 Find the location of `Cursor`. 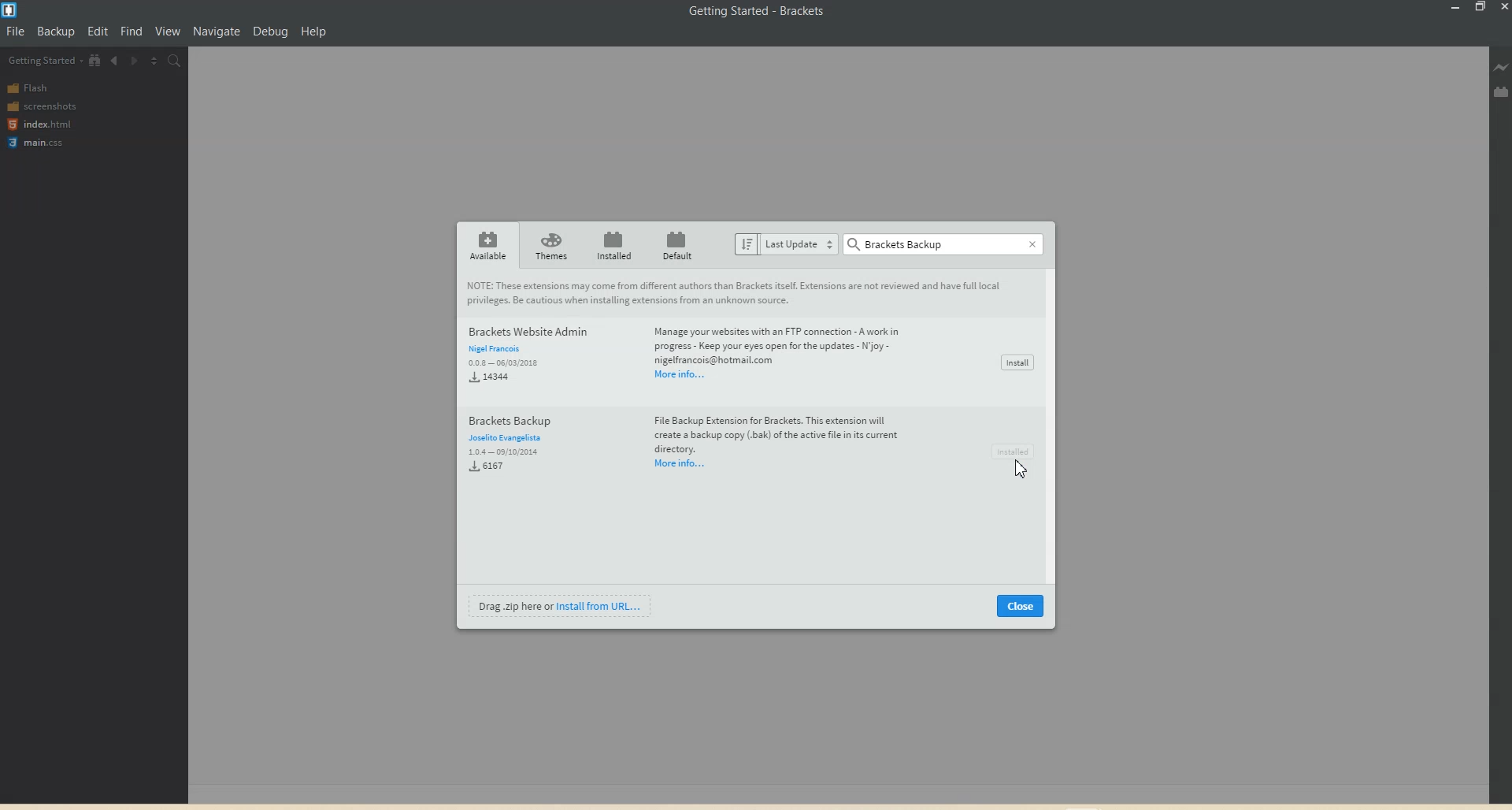

Cursor is located at coordinates (1024, 466).